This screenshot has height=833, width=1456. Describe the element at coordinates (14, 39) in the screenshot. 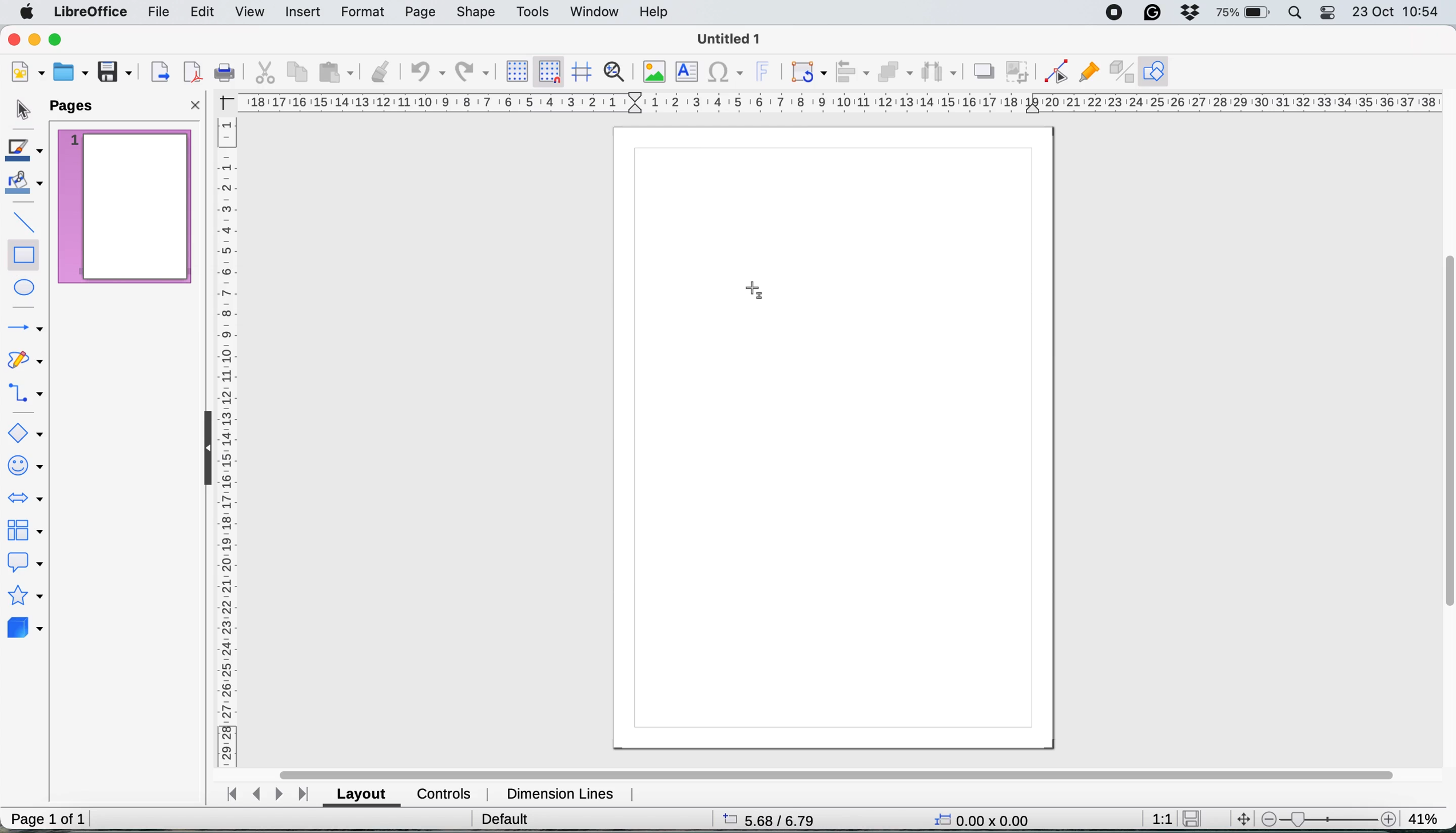

I see `close` at that location.